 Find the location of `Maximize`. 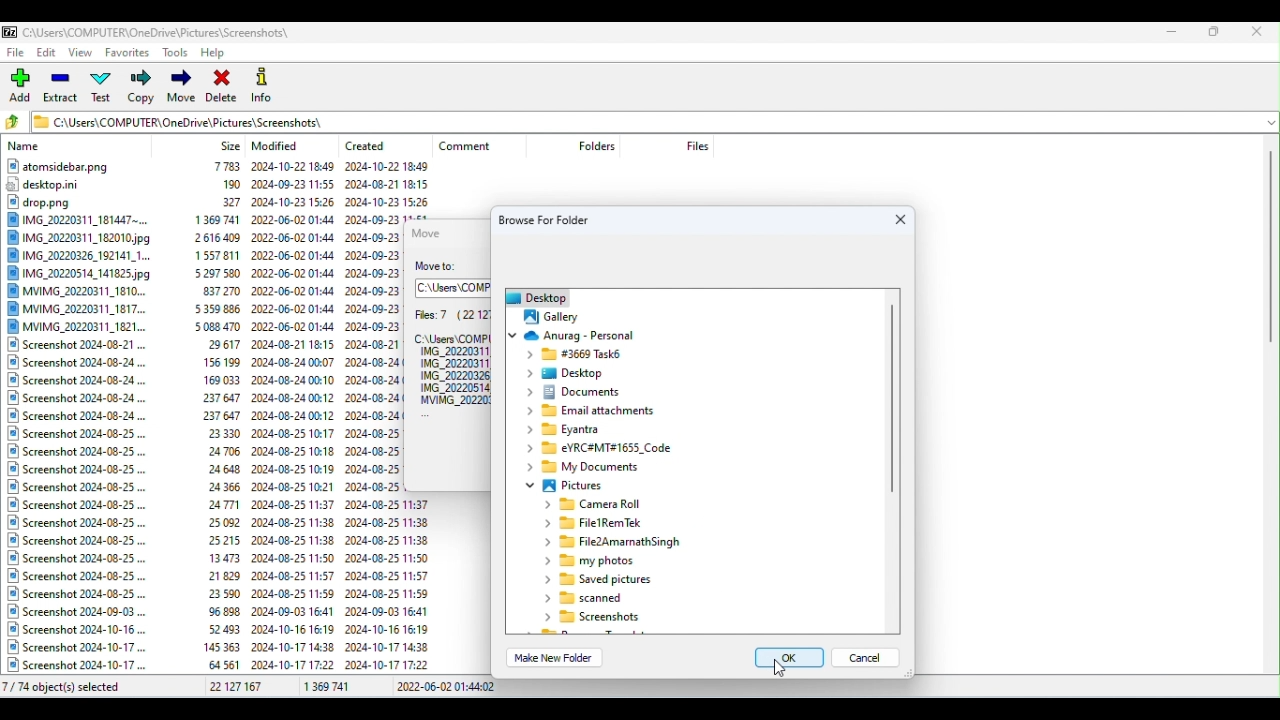

Maximize is located at coordinates (1214, 31).